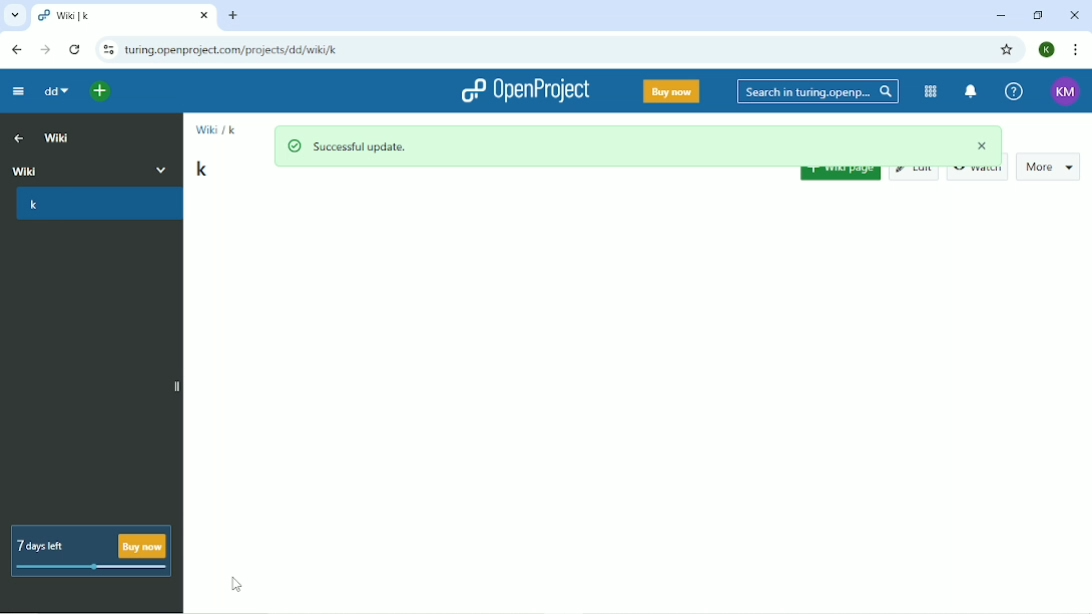 This screenshot has width=1092, height=614. Describe the element at coordinates (74, 50) in the screenshot. I see `Reload this page` at that location.